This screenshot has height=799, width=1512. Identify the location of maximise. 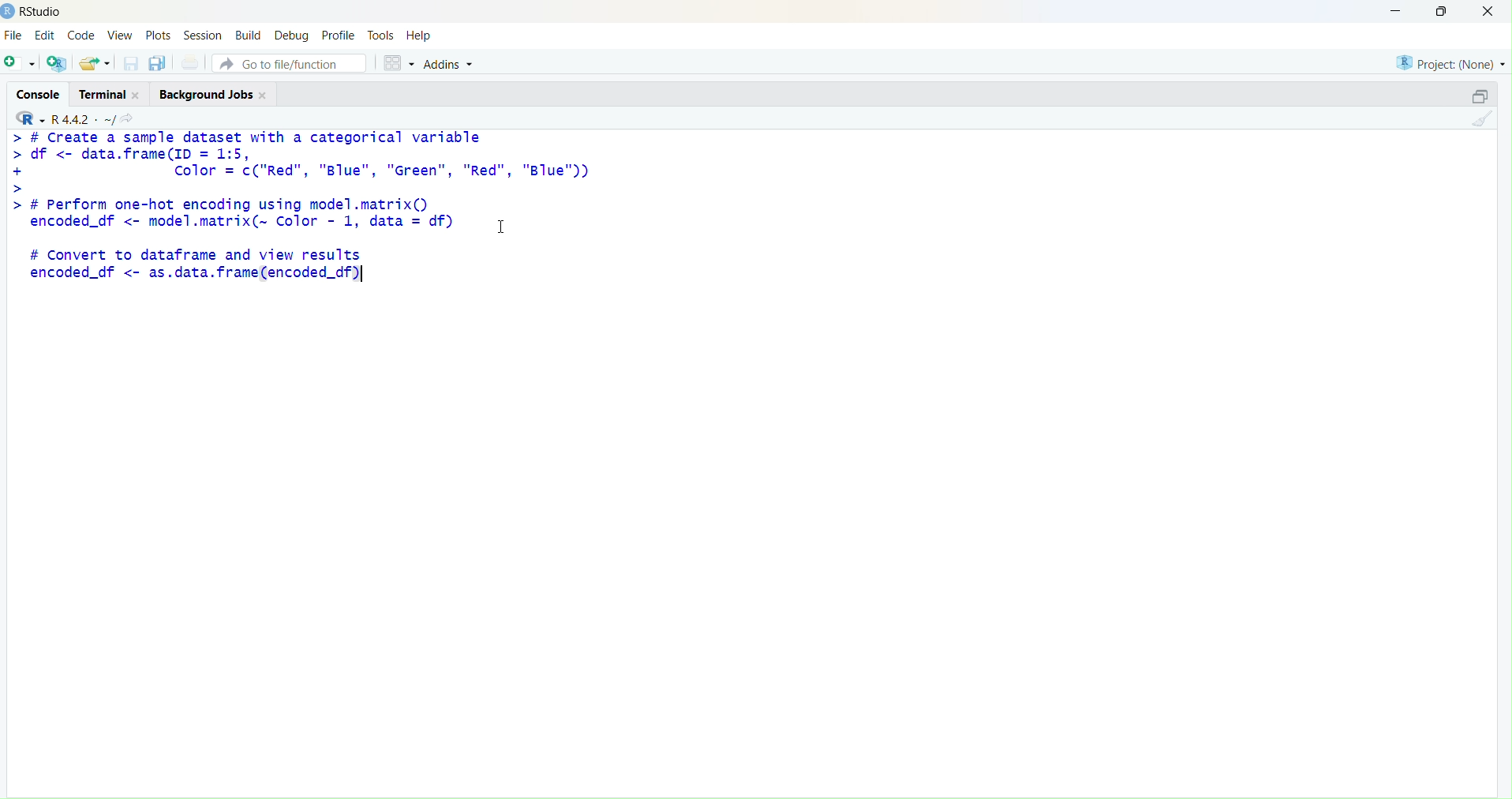
(1443, 11).